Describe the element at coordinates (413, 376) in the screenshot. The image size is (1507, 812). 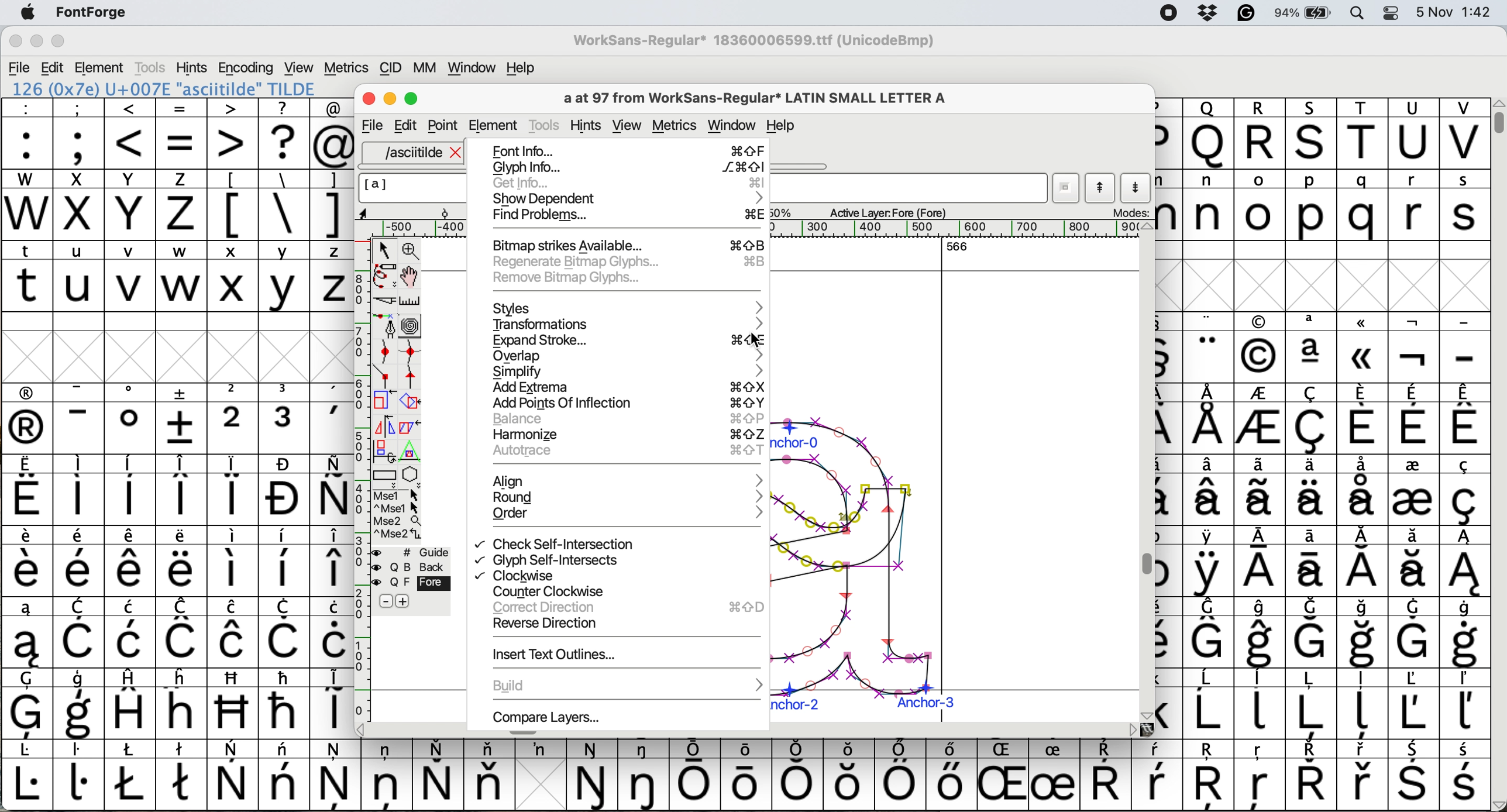
I see `add a tangent point` at that location.